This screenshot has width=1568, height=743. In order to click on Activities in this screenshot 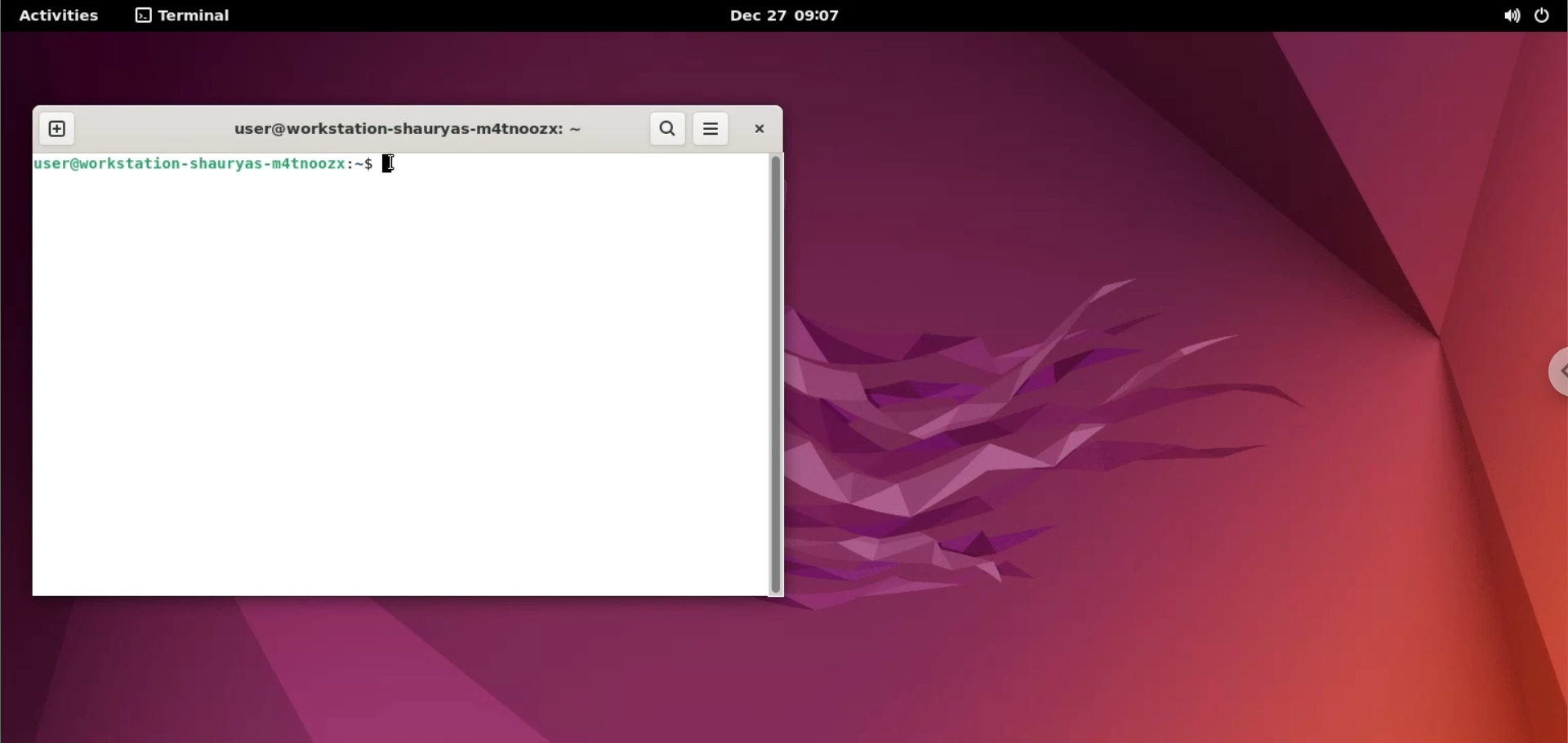, I will do `click(61, 16)`.